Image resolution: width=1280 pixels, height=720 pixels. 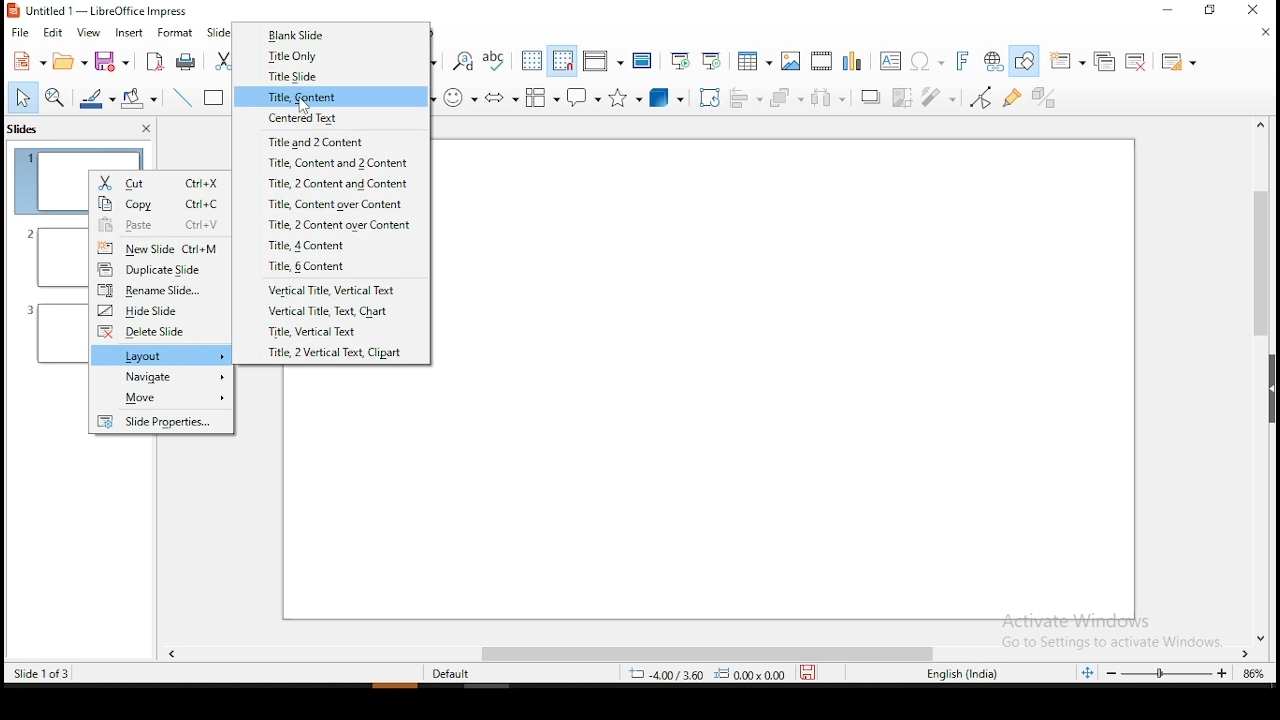 What do you see at coordinates (313, 141) in the screenshot?
I see `title and 2 content` at bounding box center [313, 141].